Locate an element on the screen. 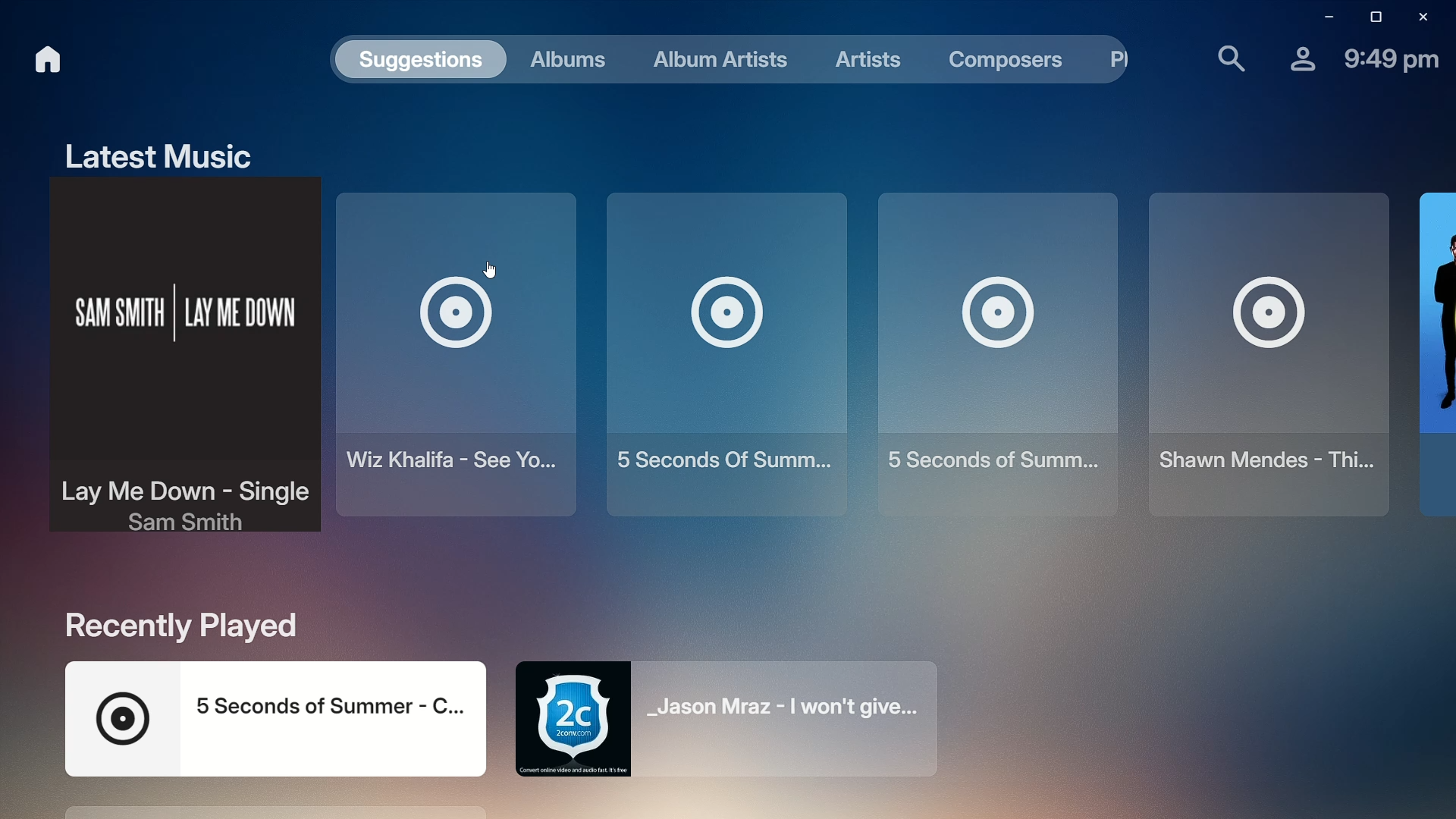 This screenshot has height=819, width=1456. Time is located at coordinates (1391, 57).